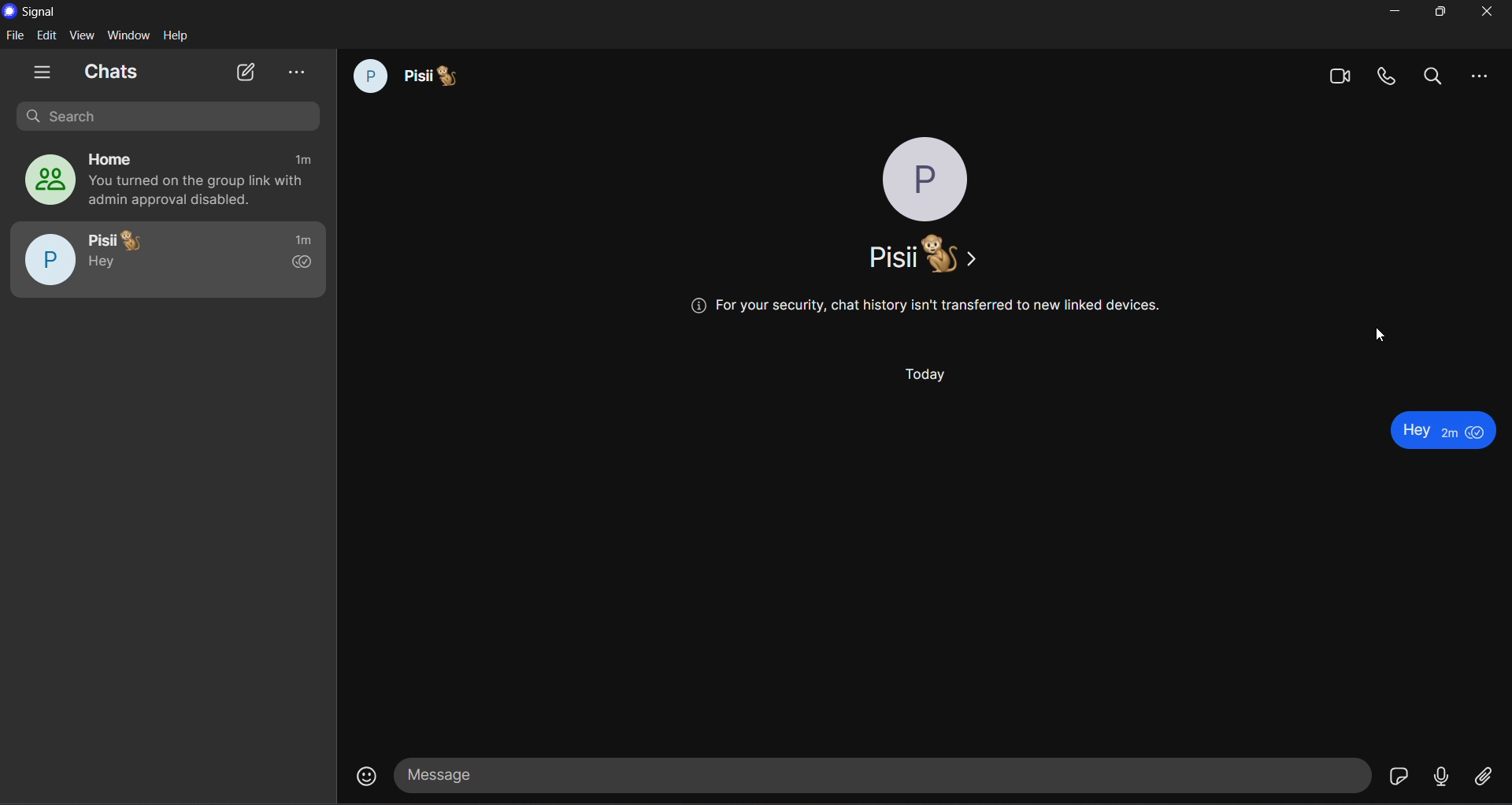  Describe the element at coordinates (1477, 76) in the screenshot. I see `more` at that location.